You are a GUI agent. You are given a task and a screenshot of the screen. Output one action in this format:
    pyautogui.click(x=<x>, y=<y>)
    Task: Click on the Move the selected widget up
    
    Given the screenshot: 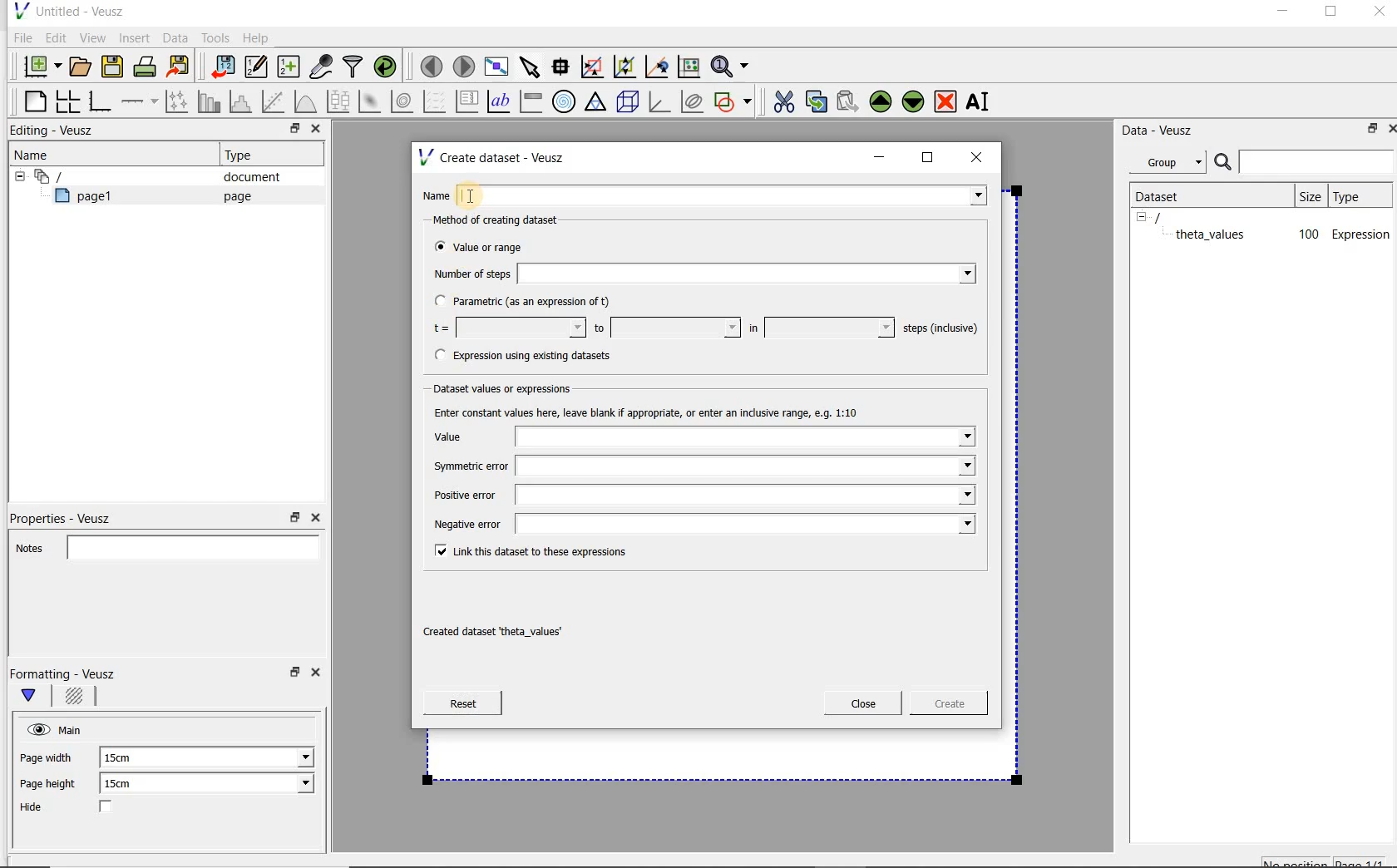 What is the action you would take?
    pyautogui.click(x=881, y=101)
    